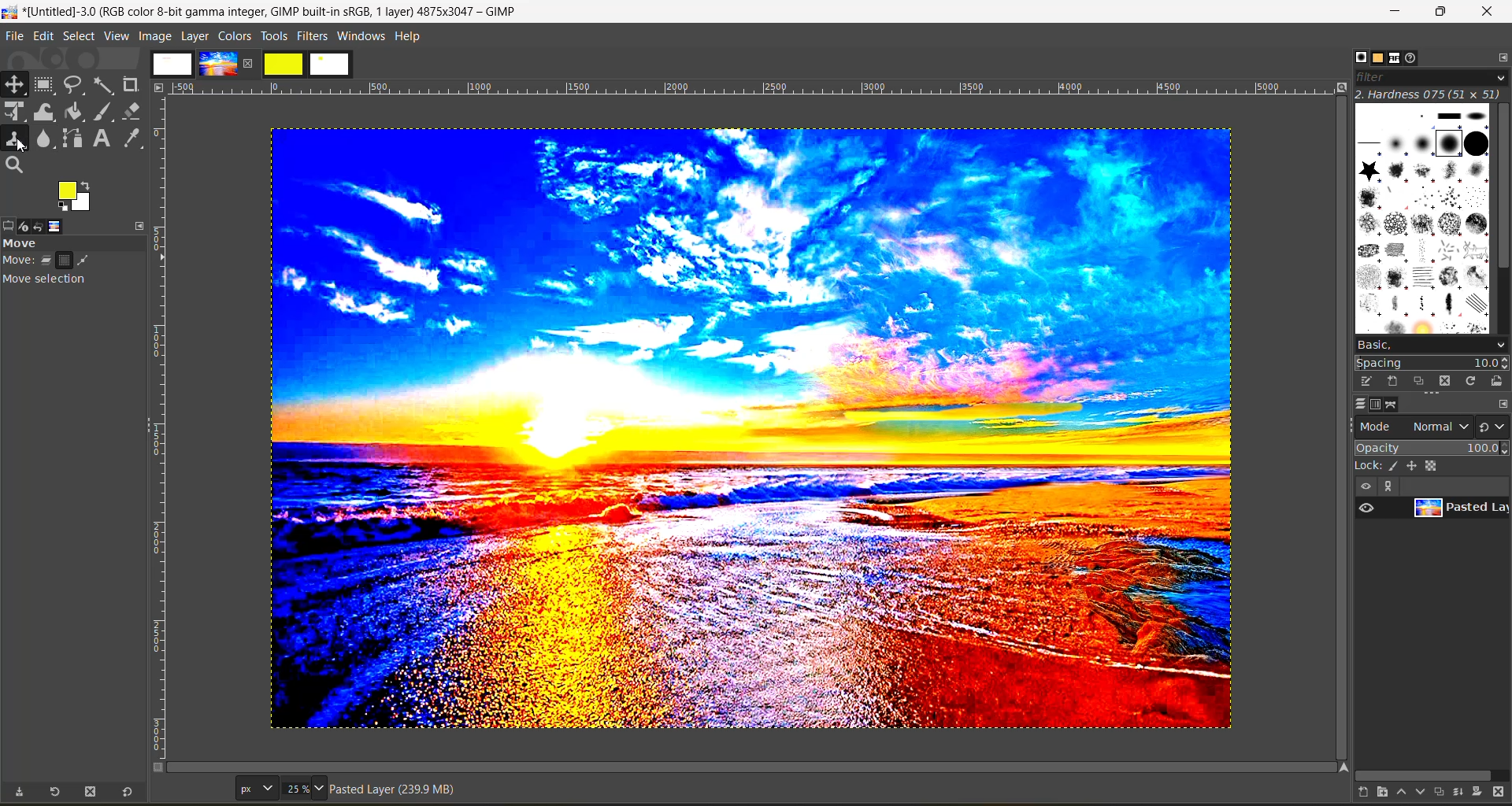 The height and width of the screenshot is (806, 1512). Describe the element at coordinates (46, 113) in the screenshot. I see `wrap transform` at that location.